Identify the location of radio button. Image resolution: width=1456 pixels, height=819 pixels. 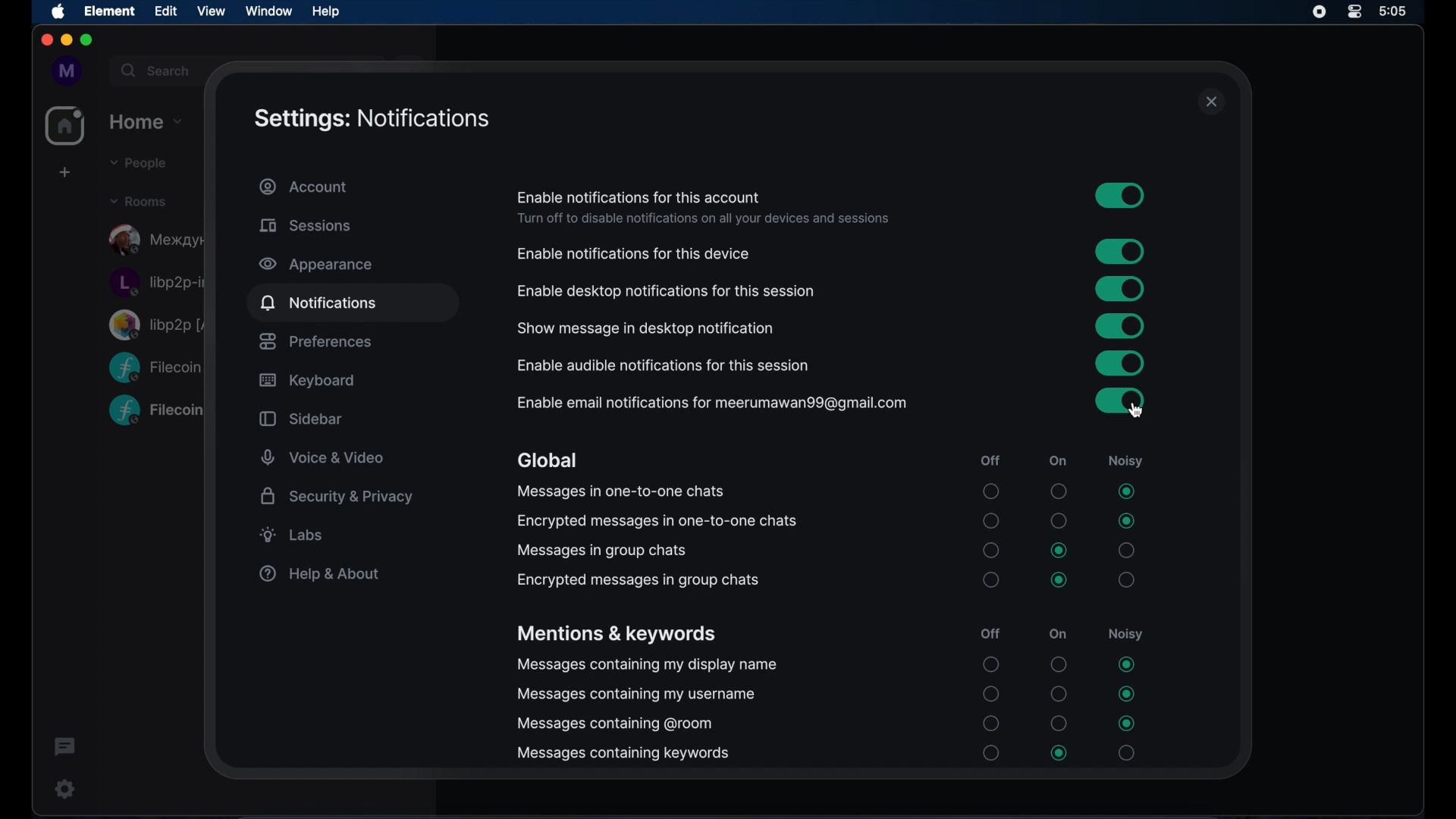
(991, 550).